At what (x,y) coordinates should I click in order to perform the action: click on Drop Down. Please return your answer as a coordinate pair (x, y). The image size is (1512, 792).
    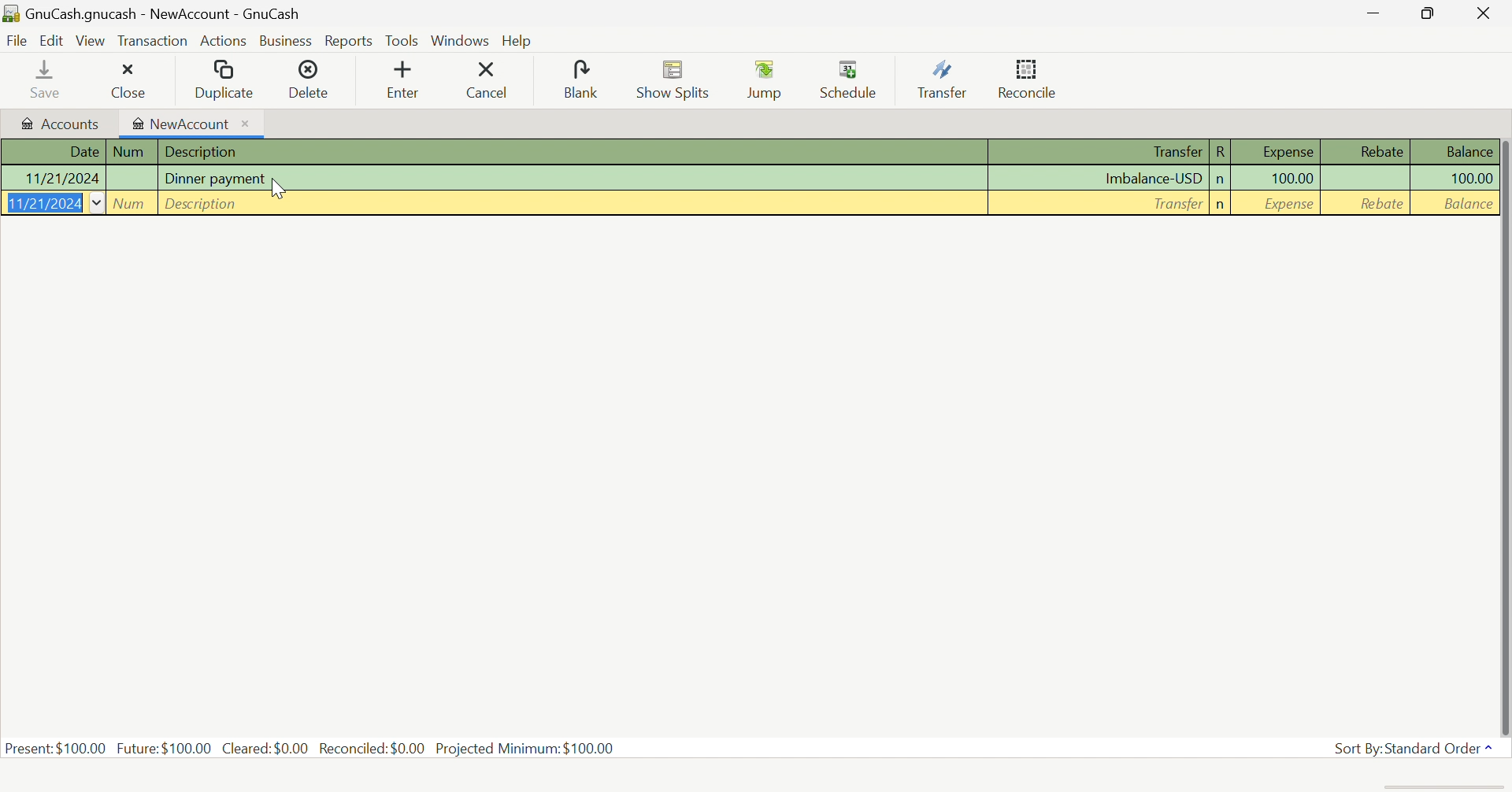
    Looking at the image, I should click on (98, 205).